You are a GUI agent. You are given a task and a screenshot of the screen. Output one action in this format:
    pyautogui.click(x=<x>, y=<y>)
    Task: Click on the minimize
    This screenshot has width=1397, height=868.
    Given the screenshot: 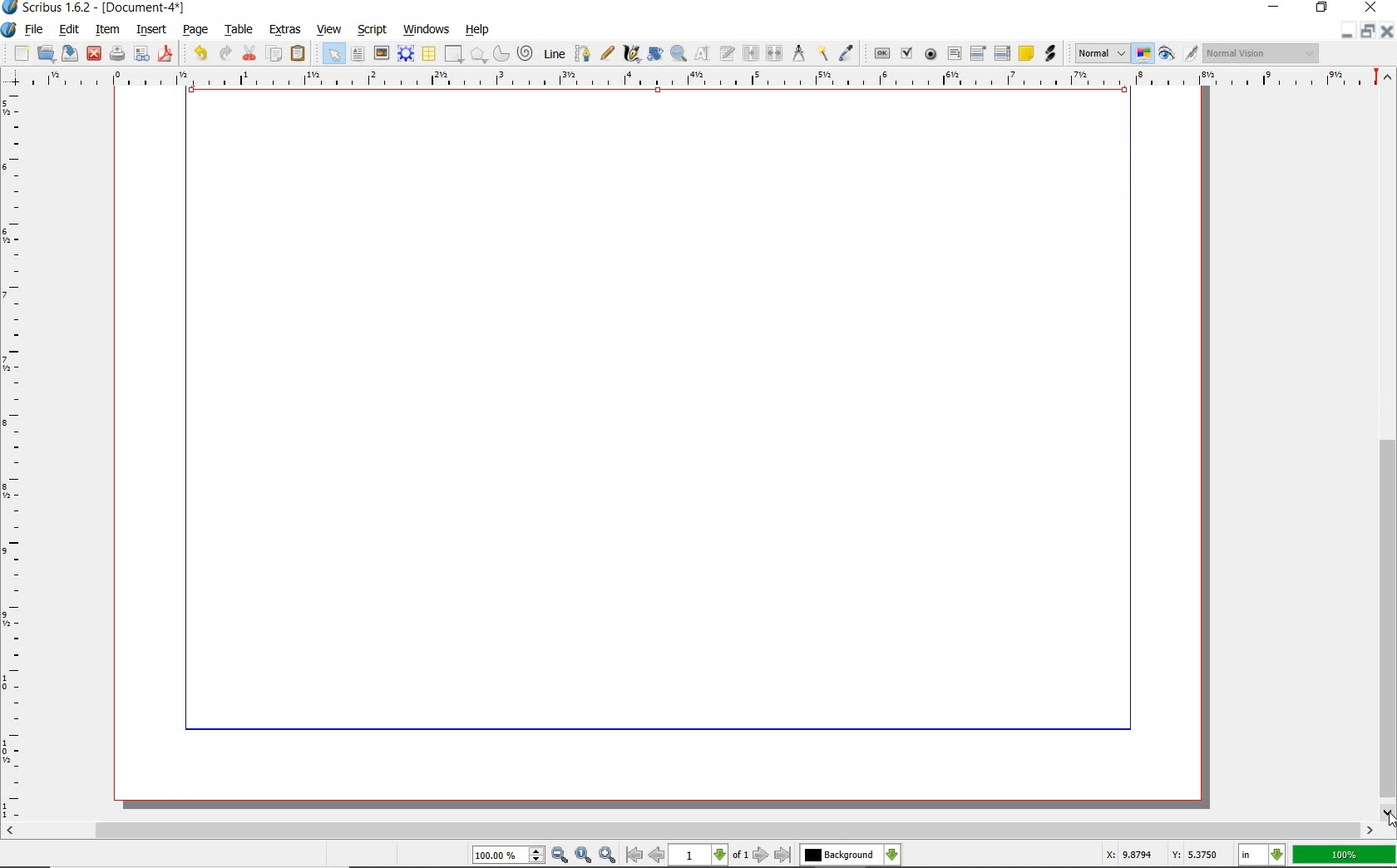 What is the action you would take?
    pyautogui.click(x=1350, y=32)
    